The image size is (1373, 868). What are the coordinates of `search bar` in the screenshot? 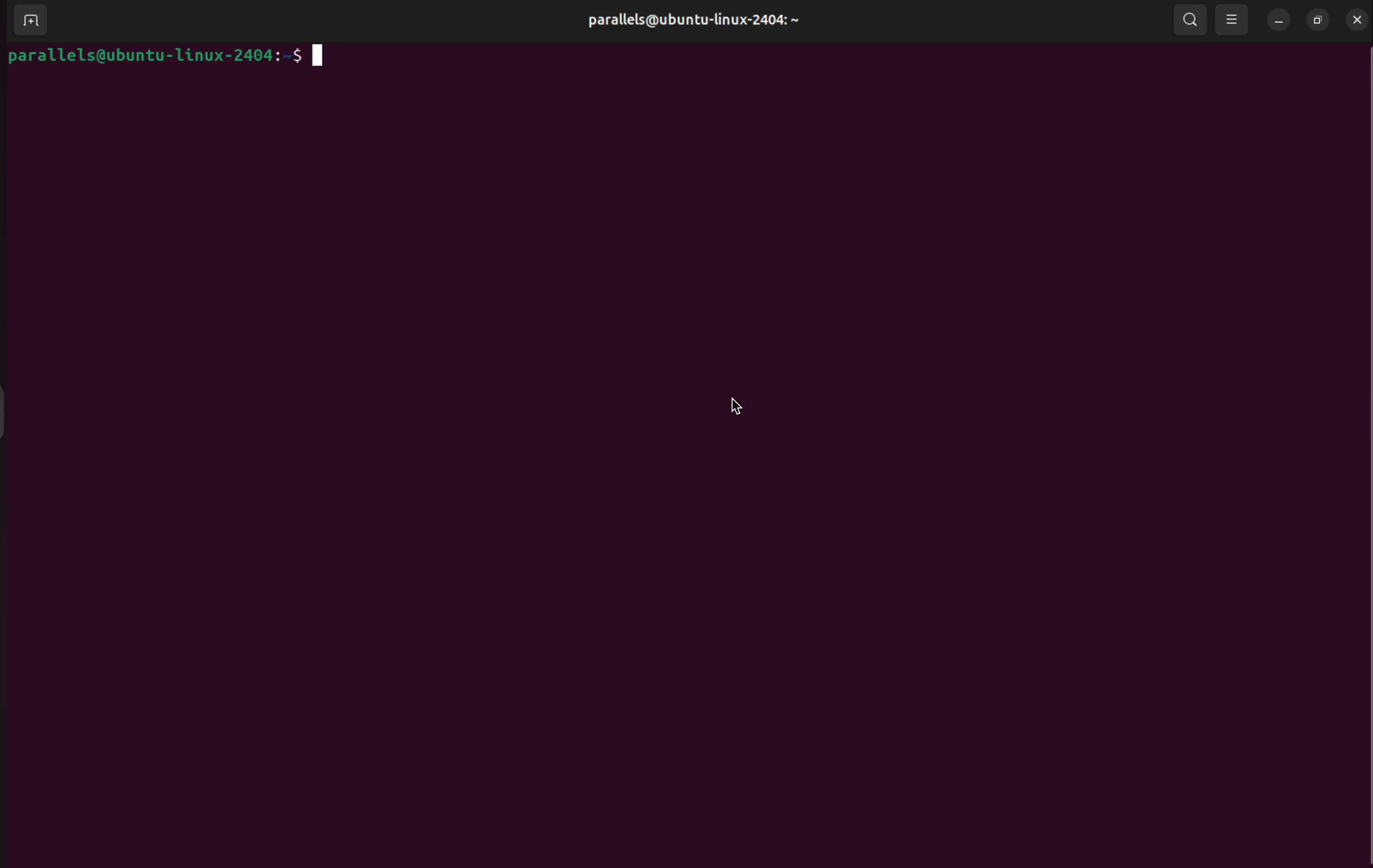 It's located at (1189, 19).